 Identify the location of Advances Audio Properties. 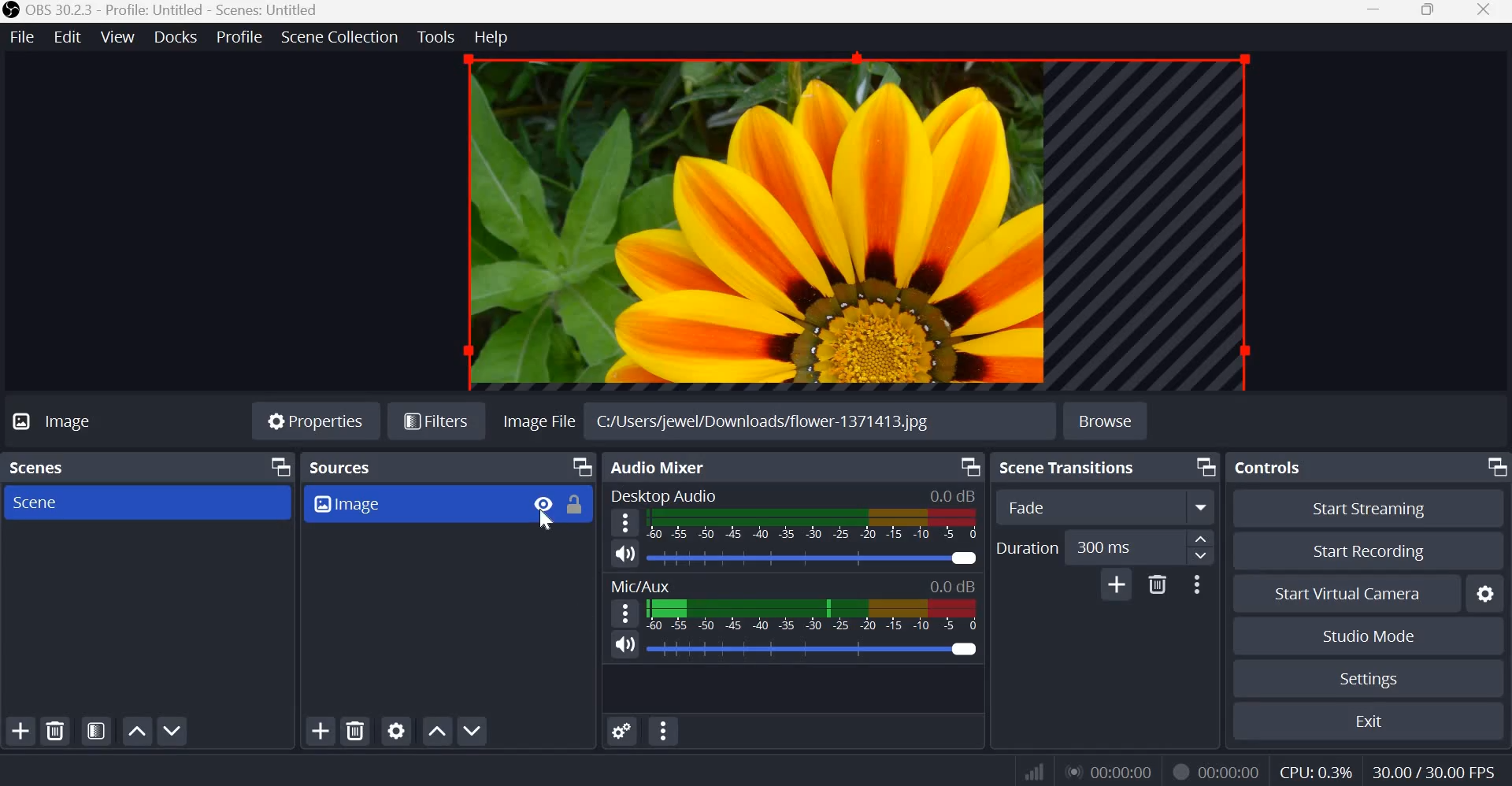
(622, 731).